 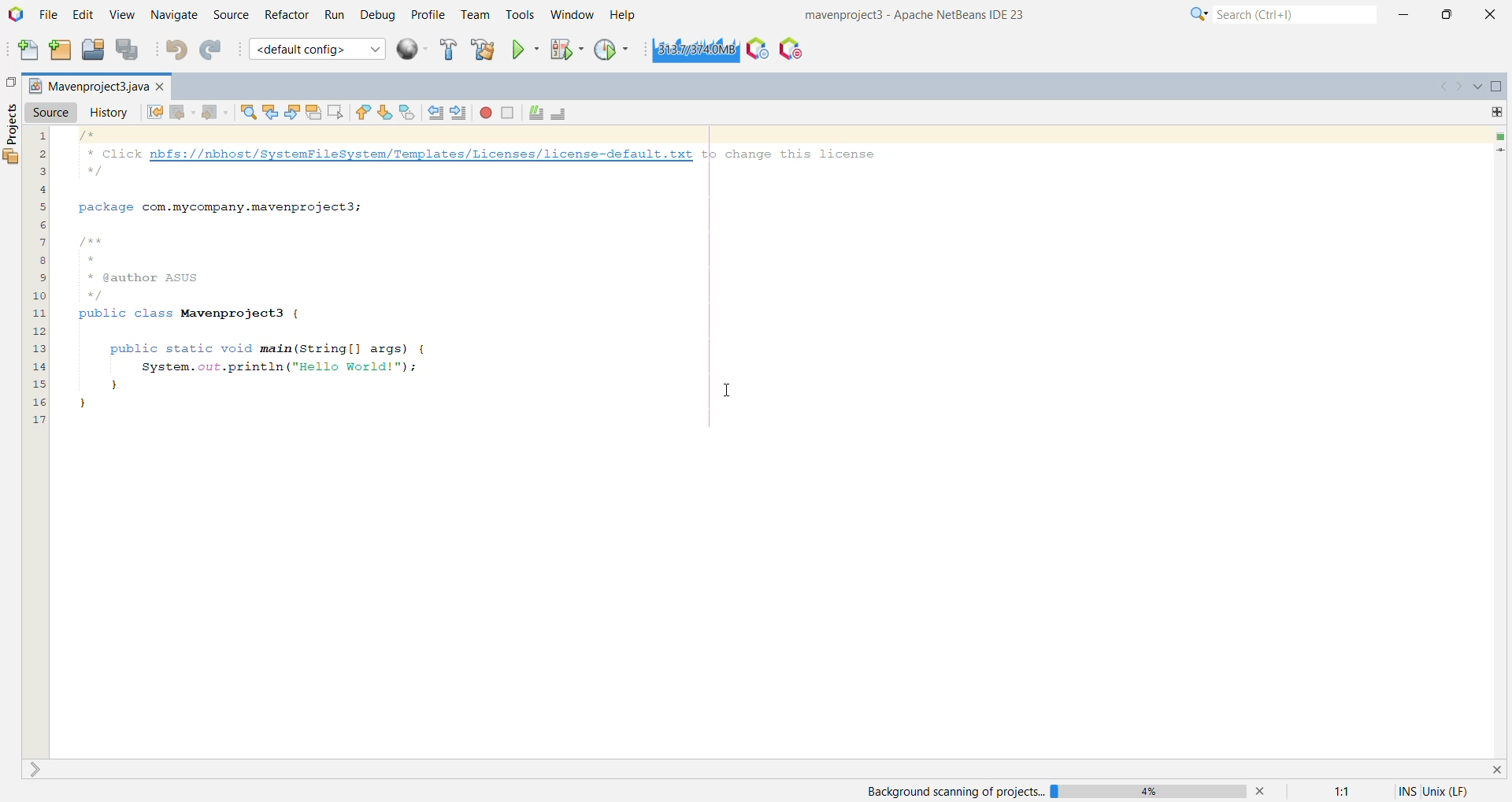 I want to click on New errors, so click(x=1496, y=137).